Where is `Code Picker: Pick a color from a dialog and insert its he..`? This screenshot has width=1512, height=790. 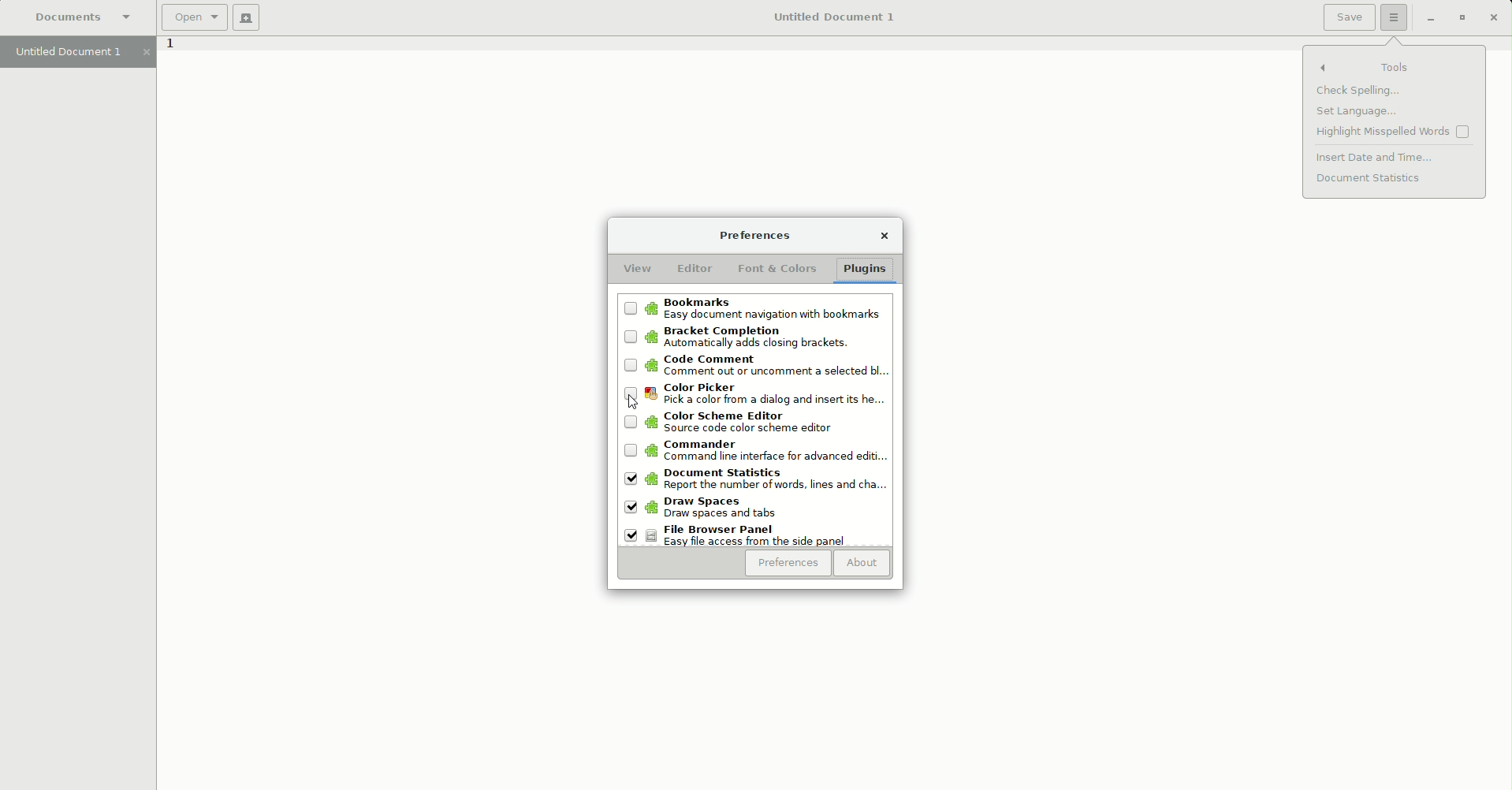
Code Picker: Pick a color from a dialog and insert its he.. is located at coordinates (758, 396).